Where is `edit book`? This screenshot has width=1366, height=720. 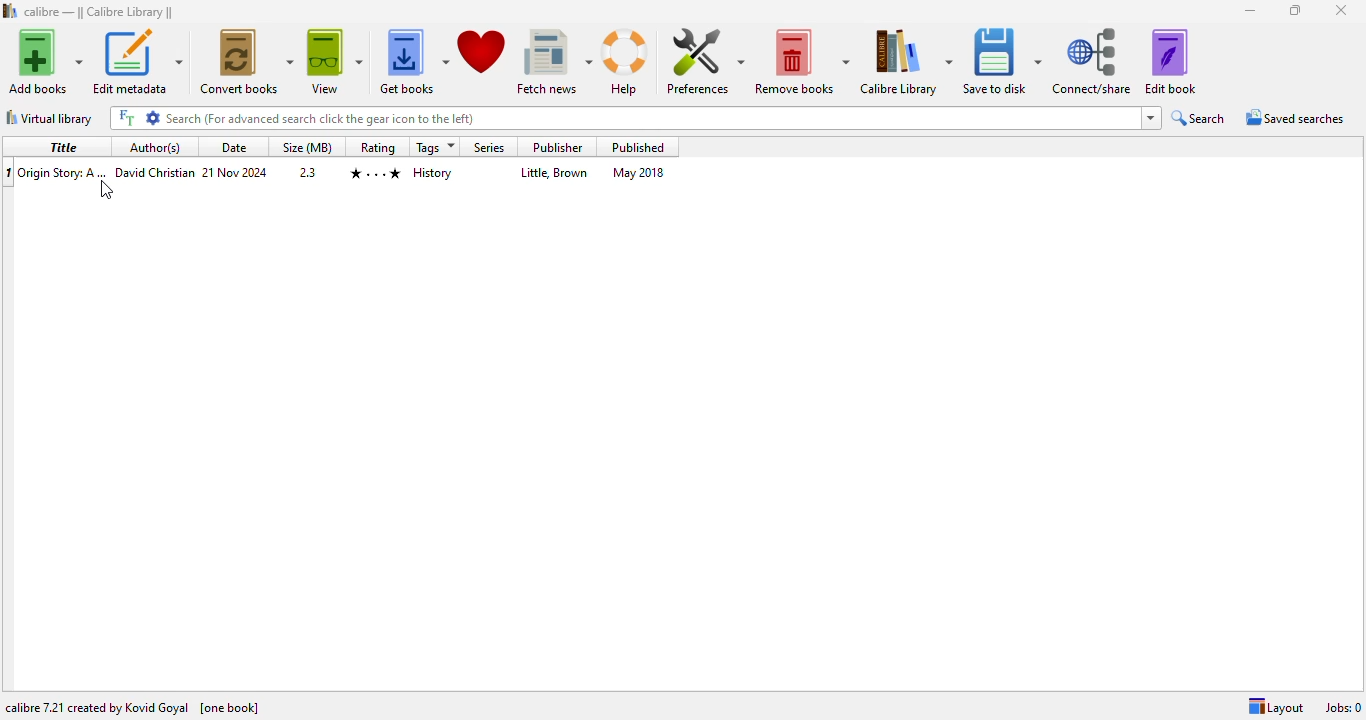 edit book is located at coordinates (1171, 61).